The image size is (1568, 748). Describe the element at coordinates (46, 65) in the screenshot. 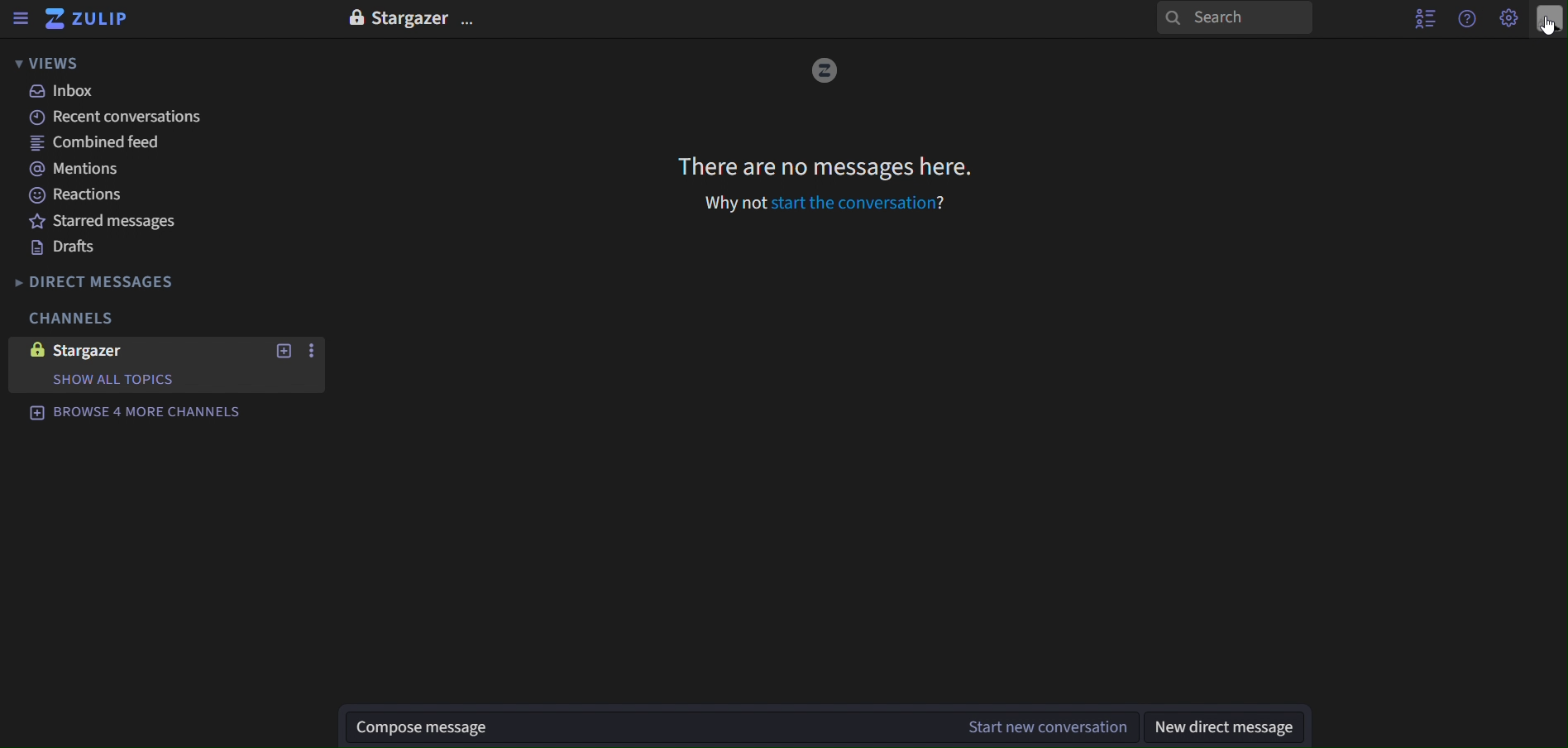

I see `views` at that location.